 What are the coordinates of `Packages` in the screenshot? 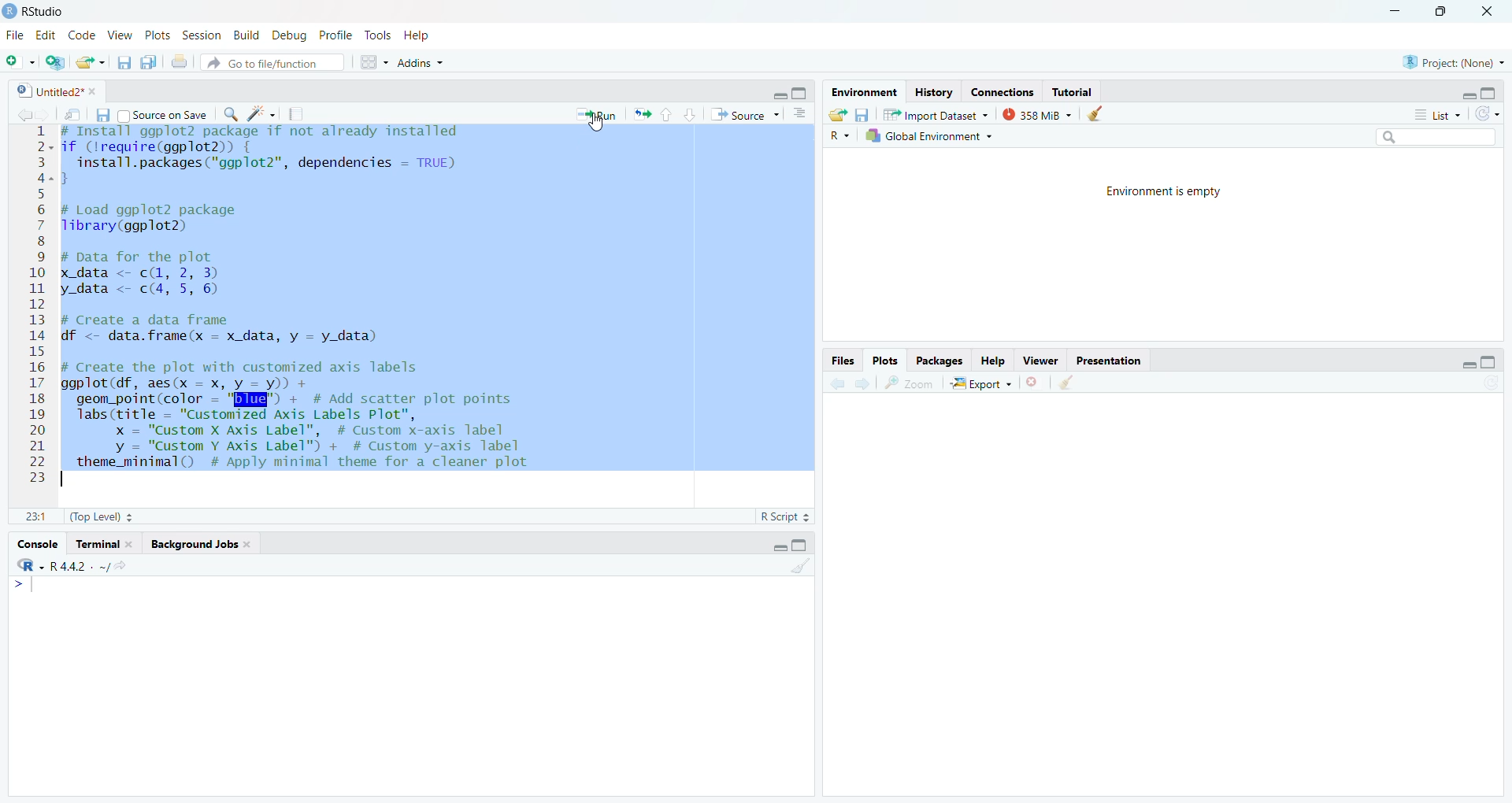 It's located at (937, 361).